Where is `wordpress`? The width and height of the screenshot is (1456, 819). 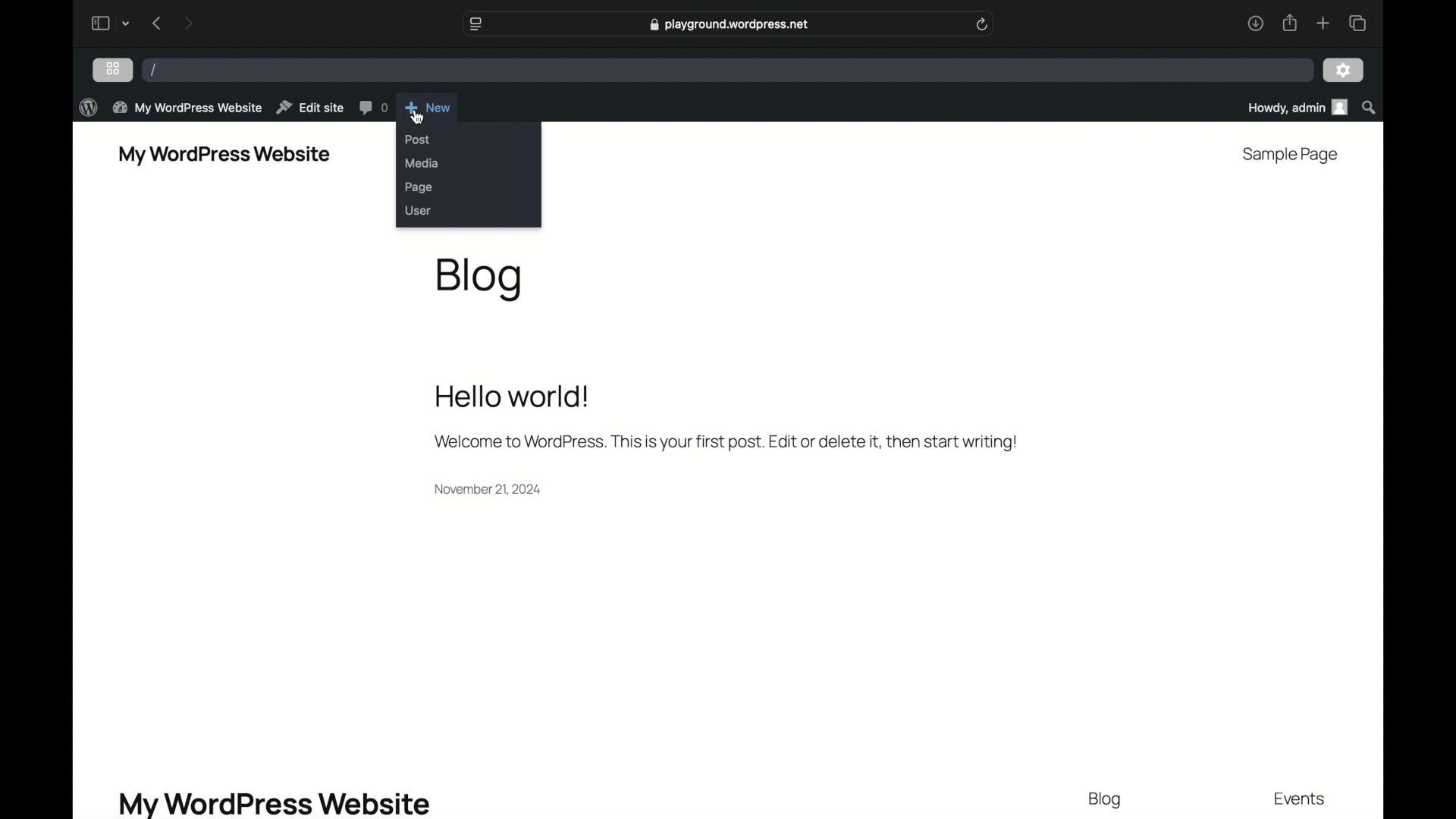 wordpress is located at coordinates (88, 108).